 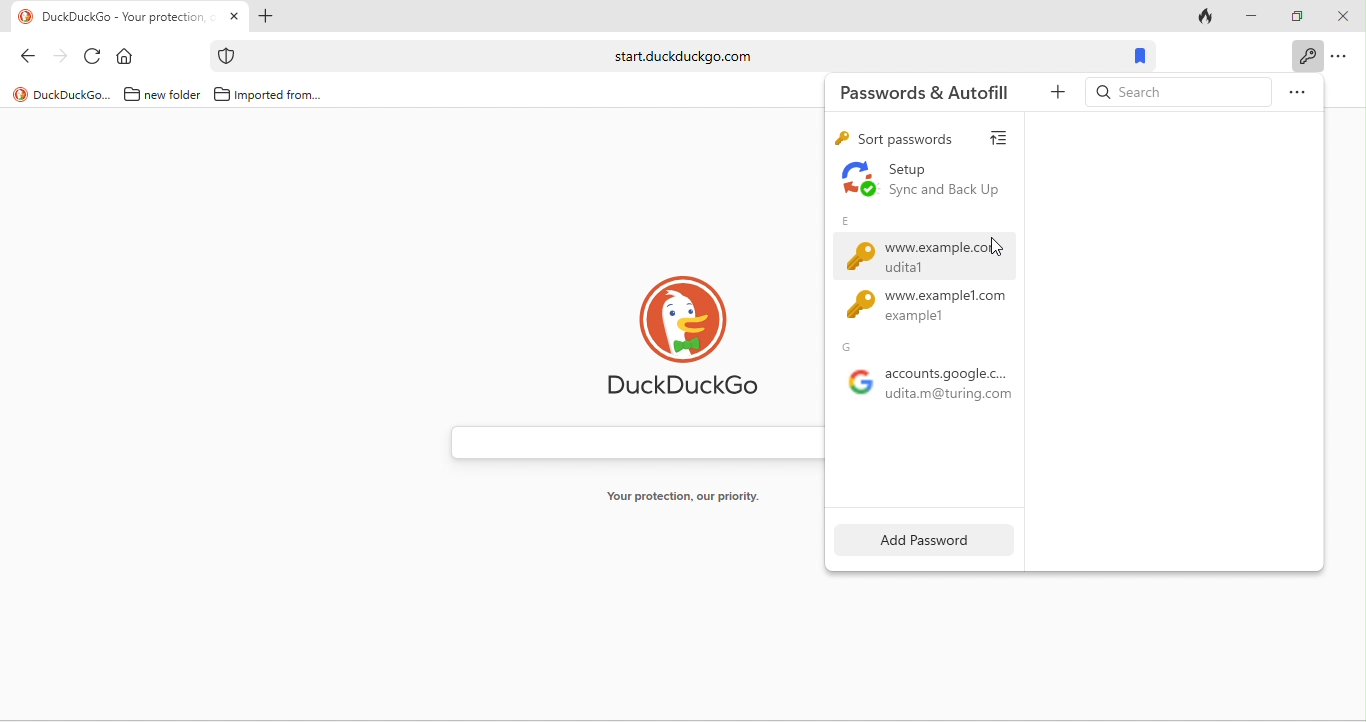 What do you see at coordinates (677, 56) in the screenshot?
I see `search bar` at bounding box center [677, 56].